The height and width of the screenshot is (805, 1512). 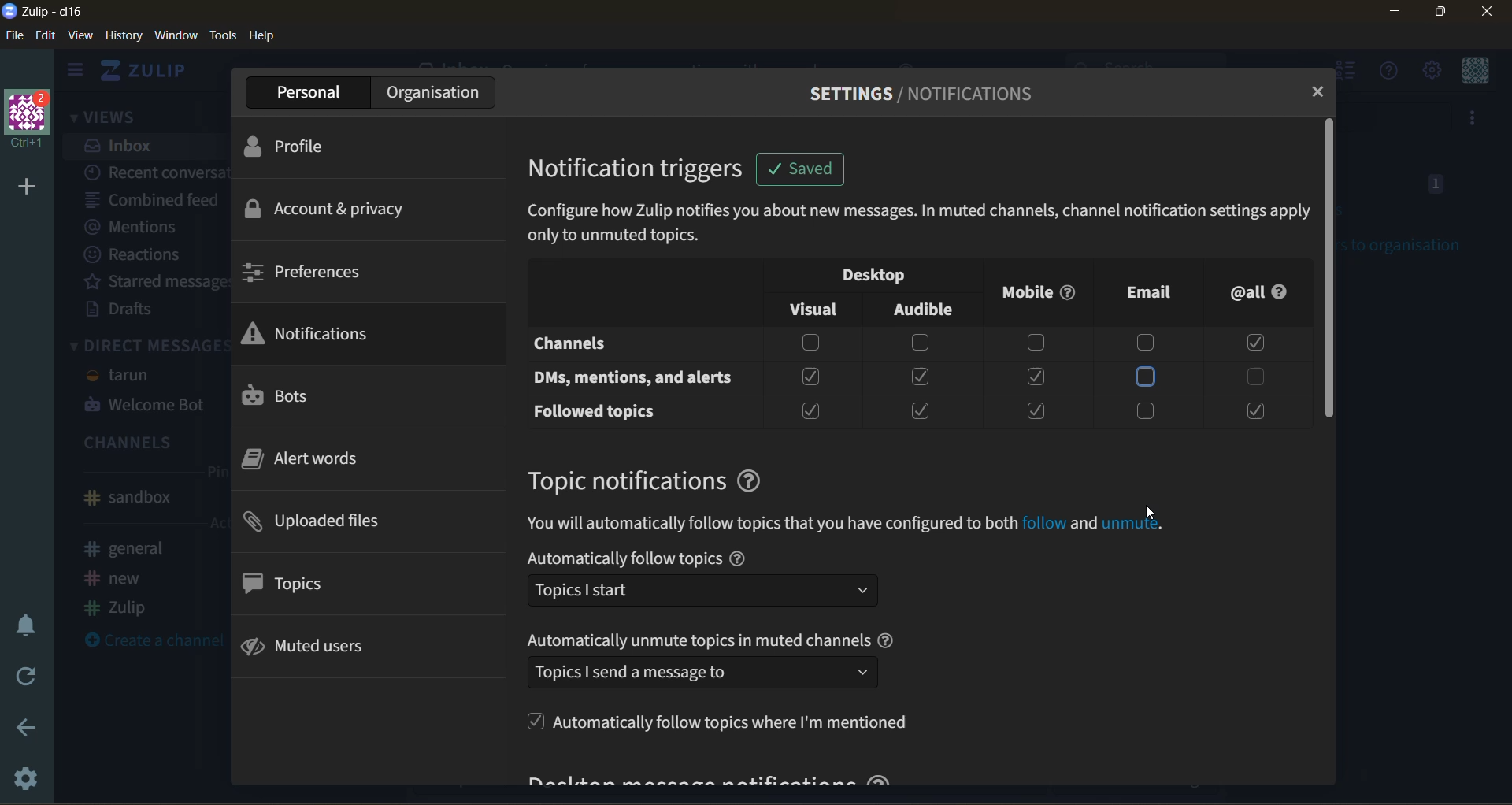 I want to click on all, so click(x=1266, y=293).